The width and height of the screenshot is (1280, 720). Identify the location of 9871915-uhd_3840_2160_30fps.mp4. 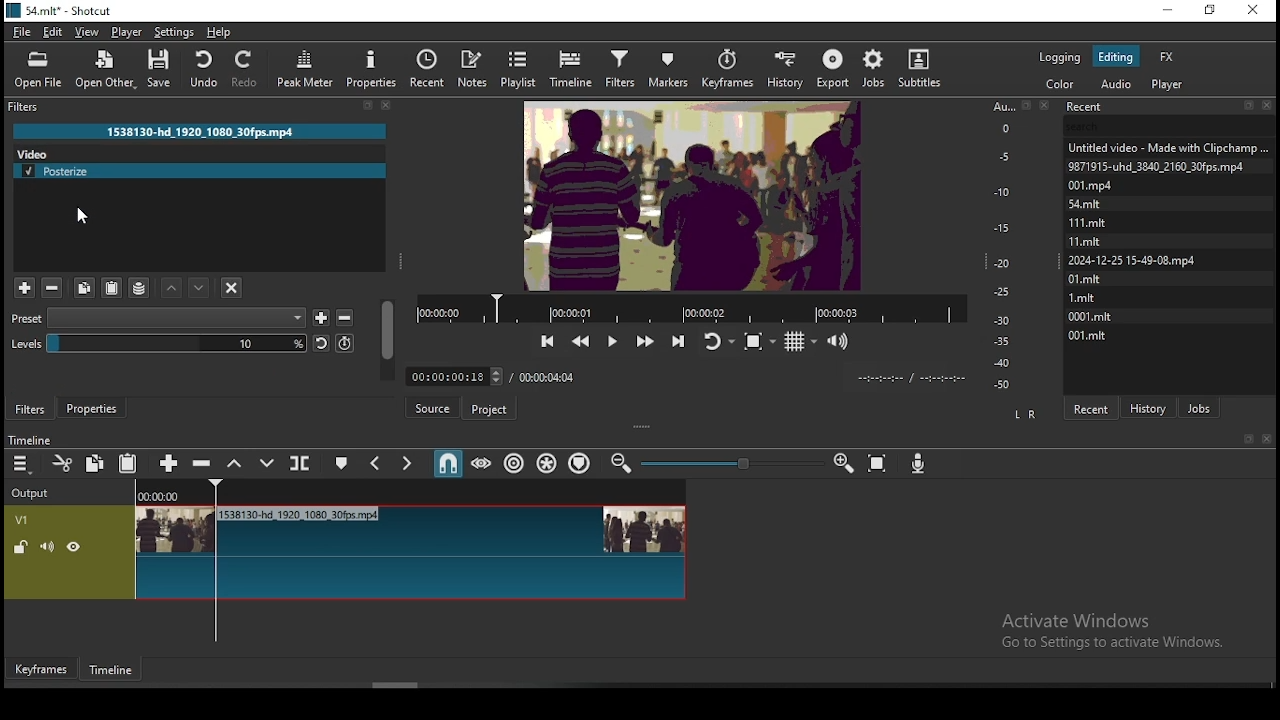
(1162, 167).